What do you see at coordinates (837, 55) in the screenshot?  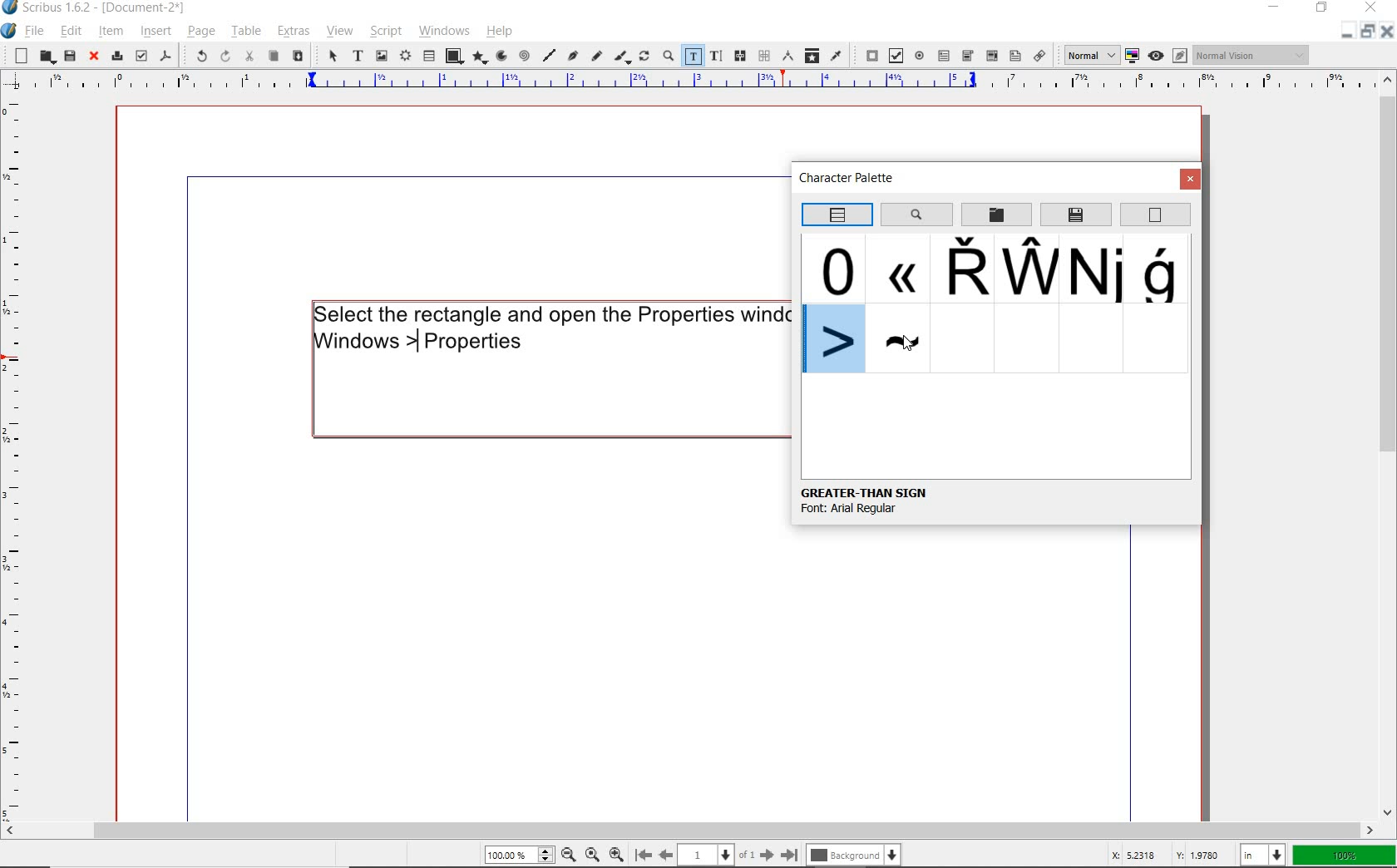 I see `eye dropper` at bounding box center [837, 55].